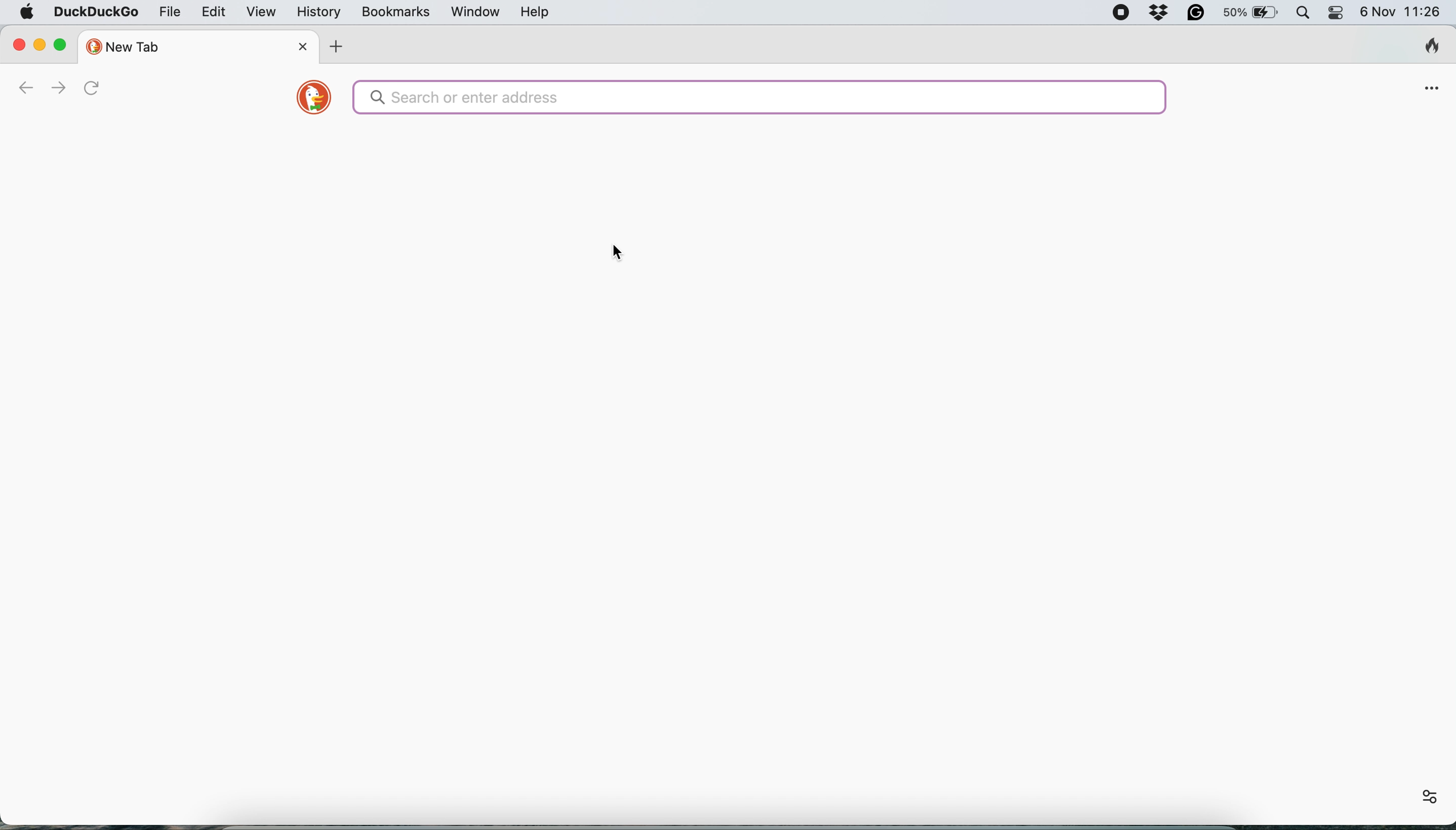 The height and width of the screenshot is (830, 1456). What do you see at coordinates (213, 13) in the screenshot?
I see `edit` at bounding box center [213, 13].